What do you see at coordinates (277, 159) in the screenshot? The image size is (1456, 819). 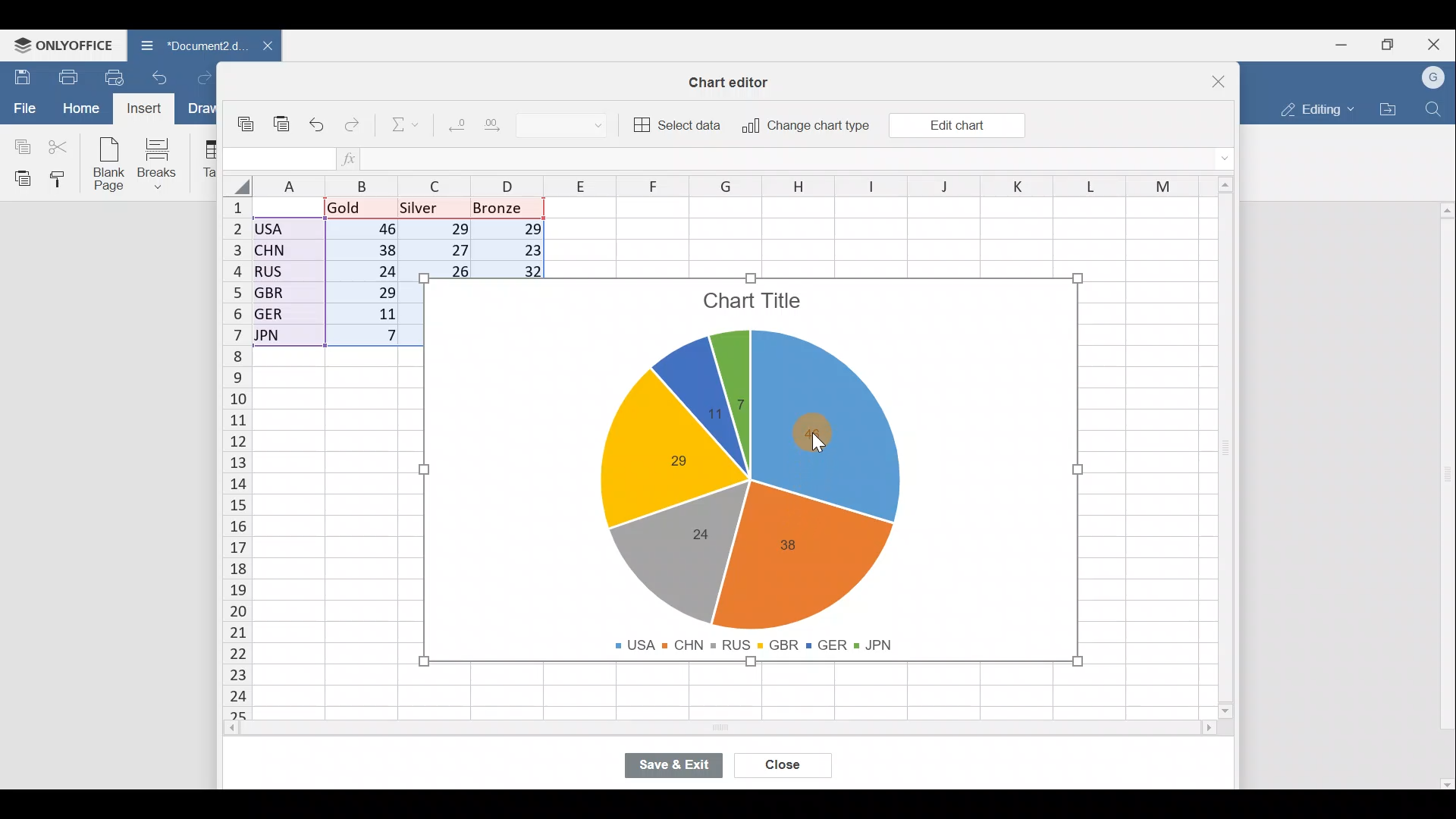 I see `Cell name` at bounding box center [277, 159].